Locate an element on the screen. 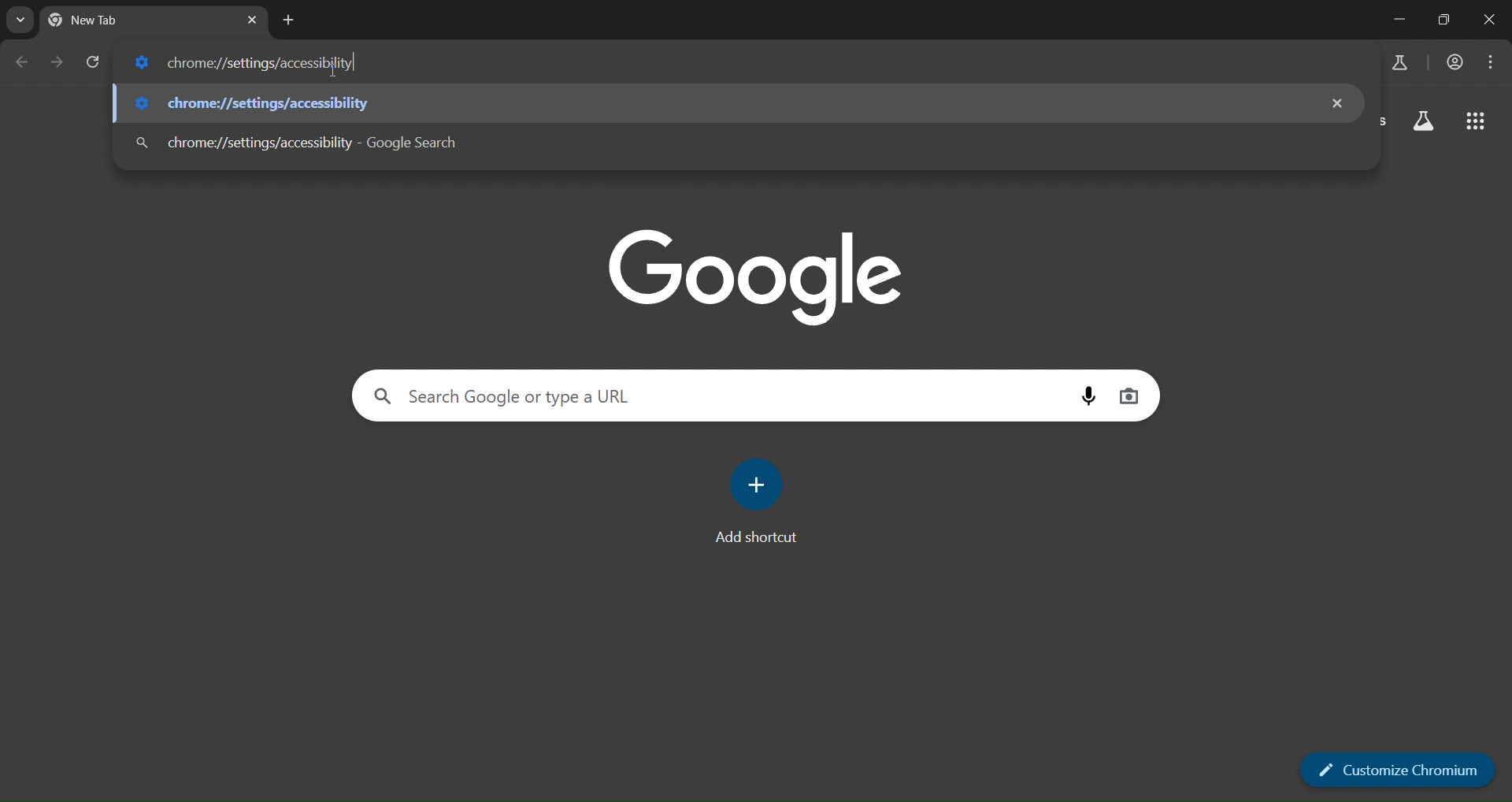  accounts is located at coordinates (1455, 61).